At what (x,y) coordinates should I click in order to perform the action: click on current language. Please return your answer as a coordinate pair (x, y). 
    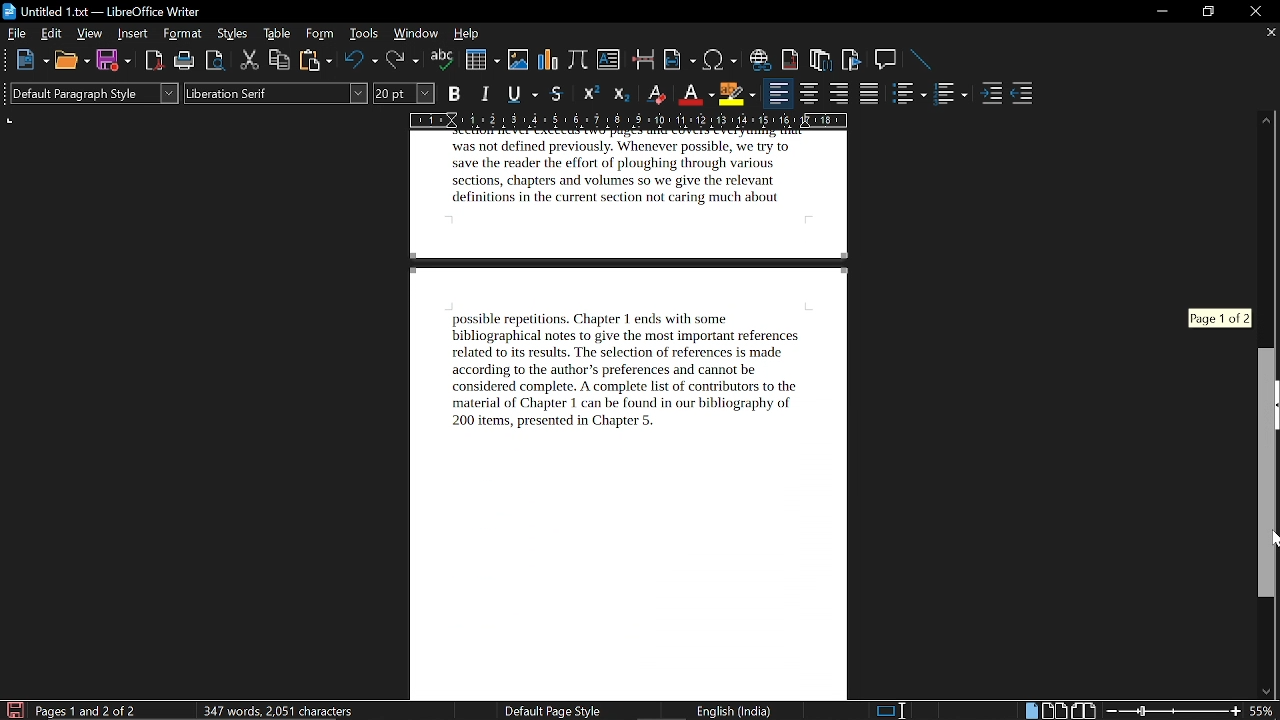
    Looking at the image, I should click on (732, 711).